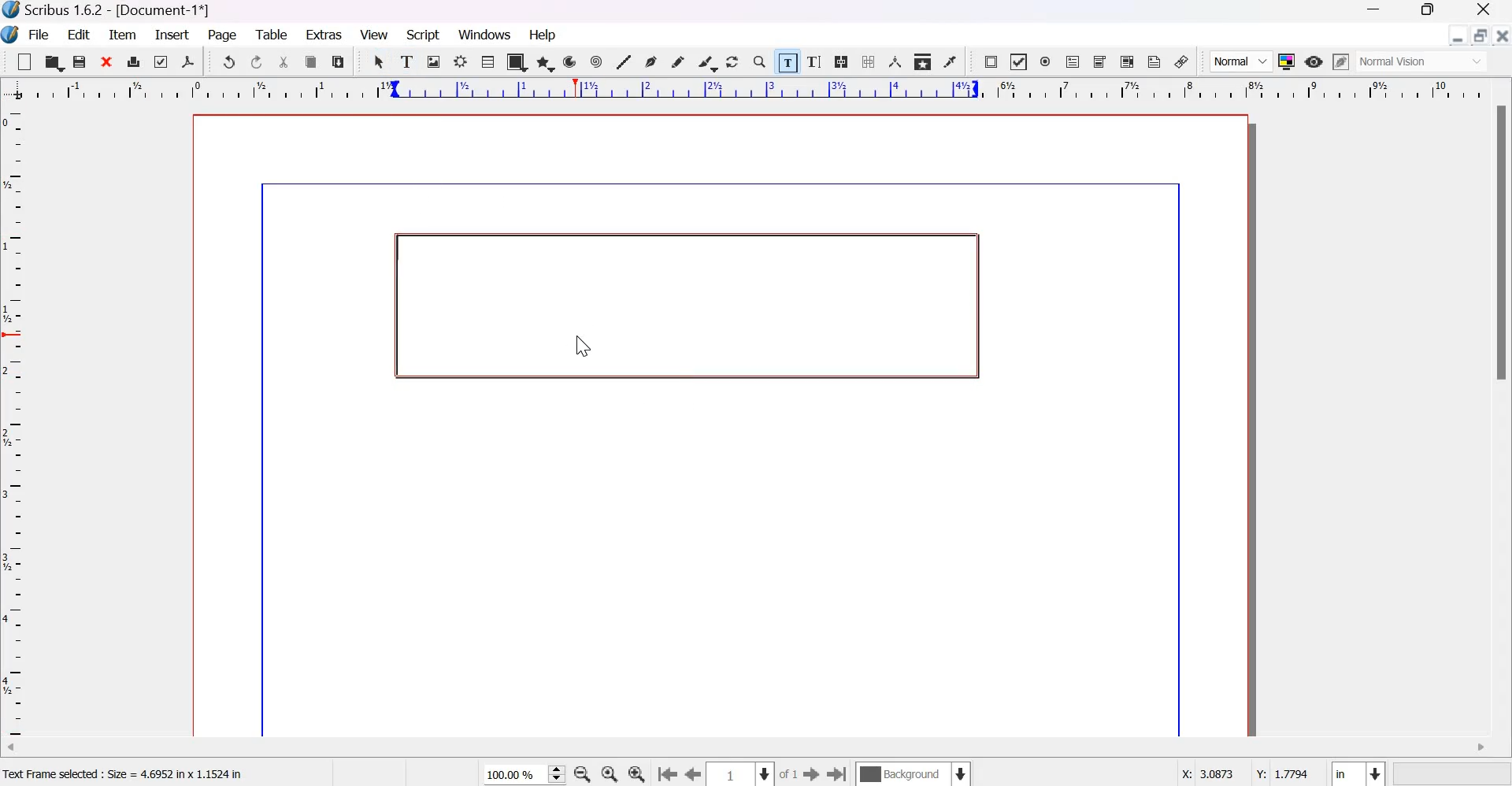 This screenshot has height=786, width=1512. What do you see at coordinates (895, 61) in the screenshot?
I see `measurements` at bounding box center [895, 61].